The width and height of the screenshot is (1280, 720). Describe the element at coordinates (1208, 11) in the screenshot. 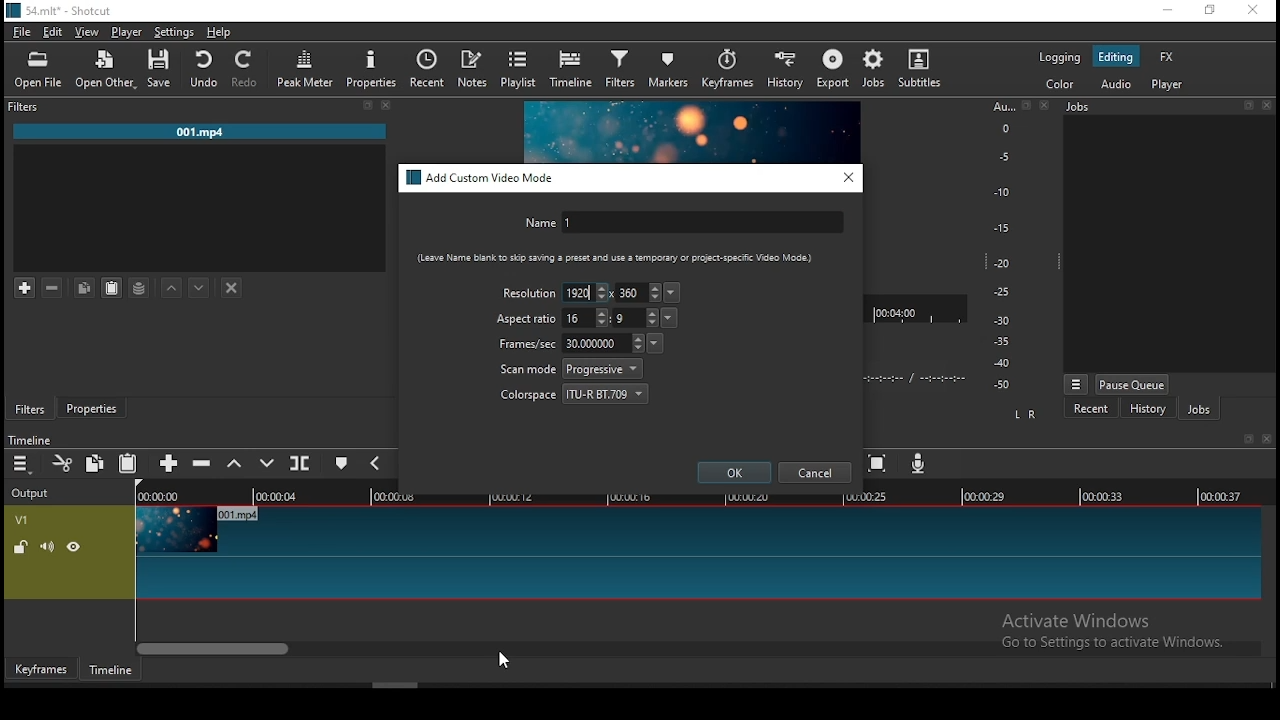

I see `restore` at that location.